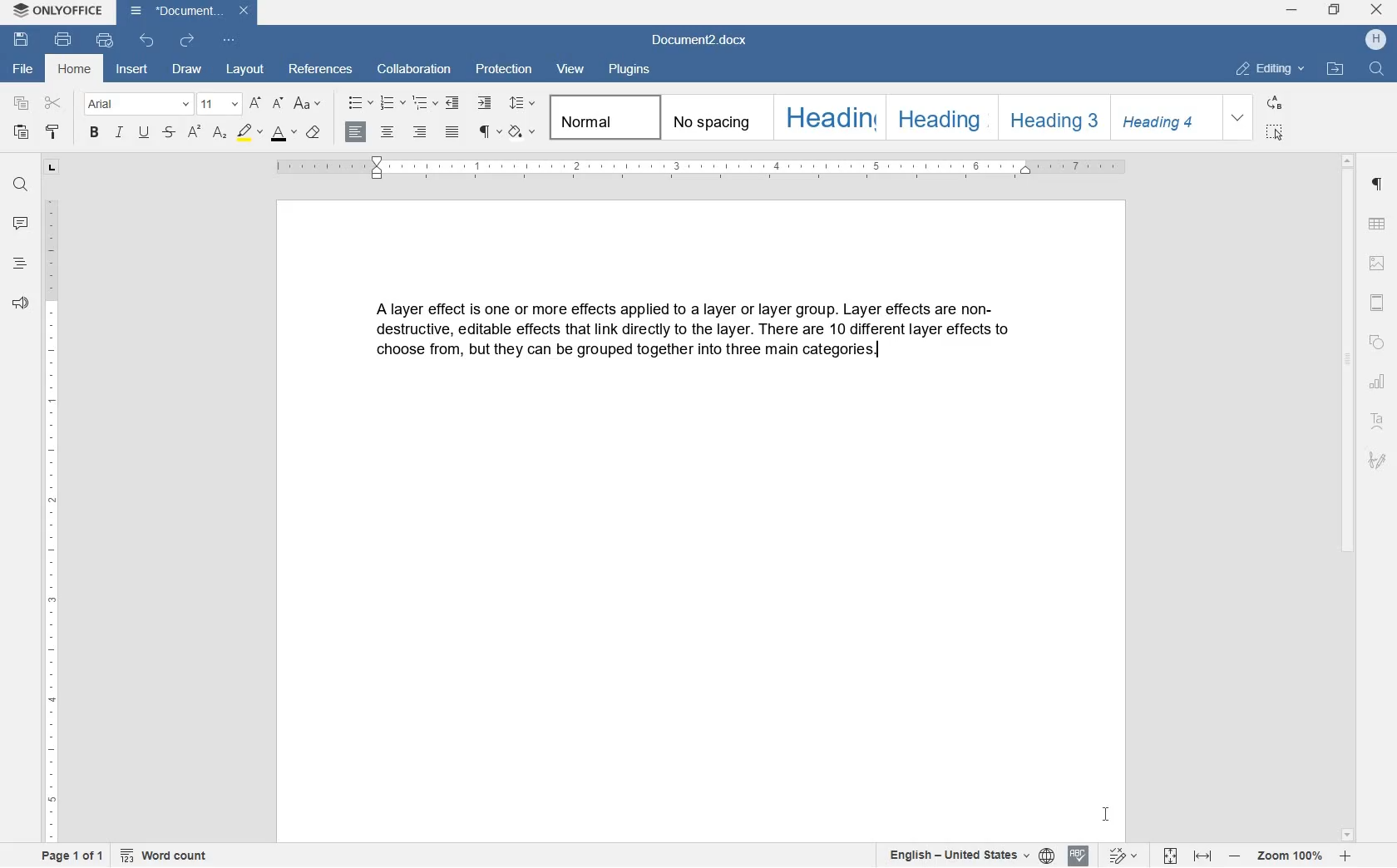 This screenshot has width=1397, height=868. I want to click on signature, so click(1378, 460).